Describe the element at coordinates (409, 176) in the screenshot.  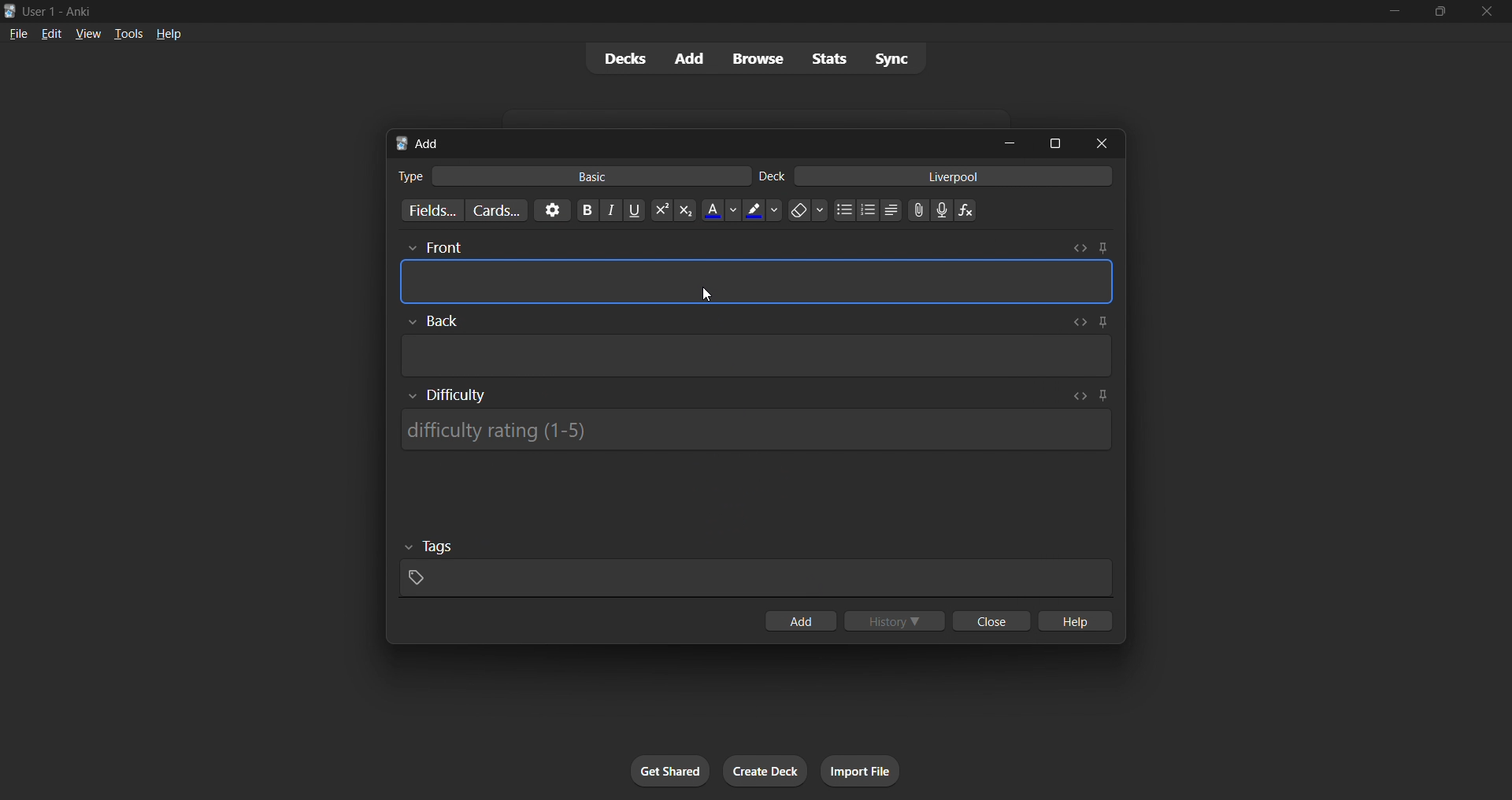
I see `Text` at that location.